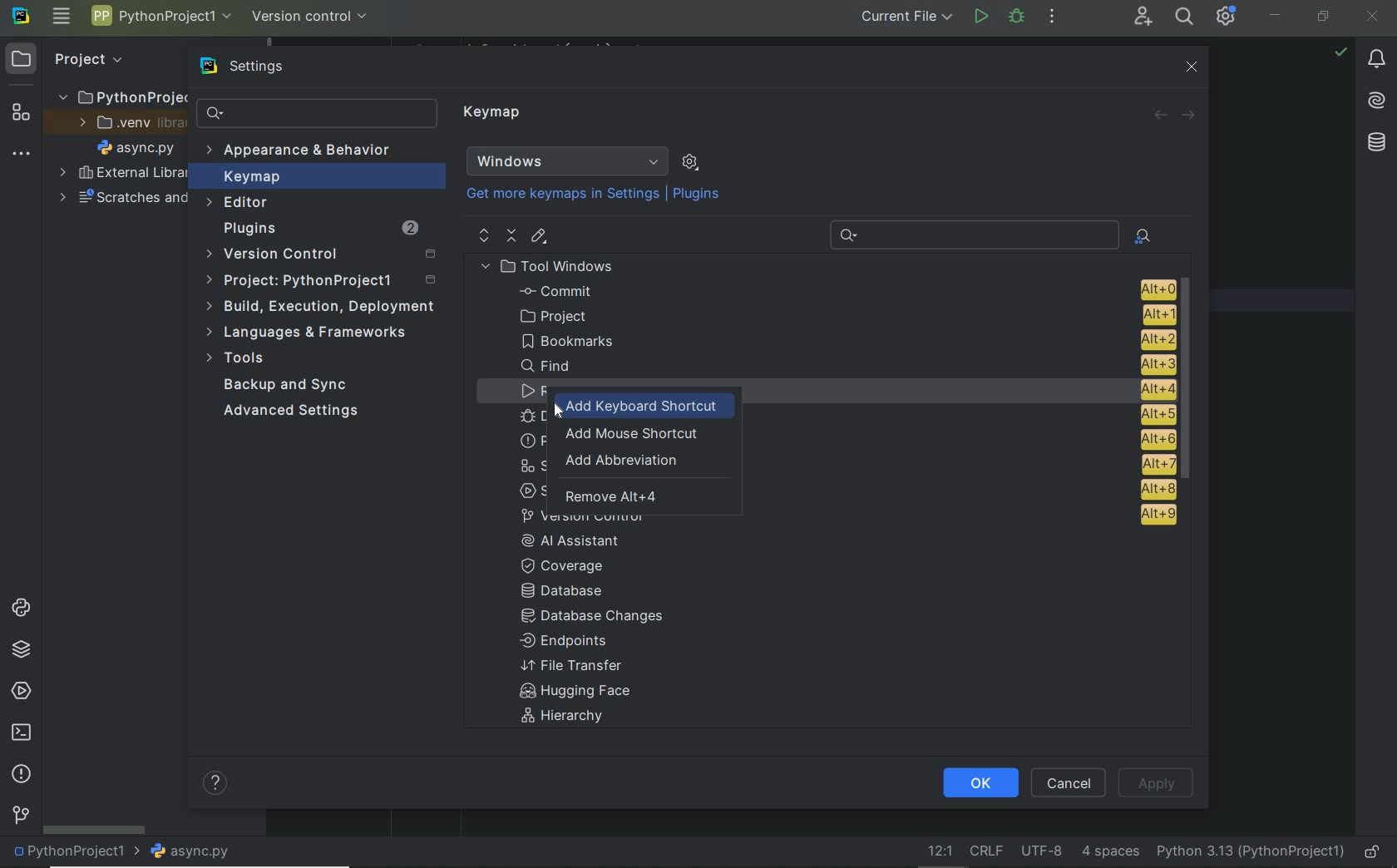 The image size is (1397, 868). Describe the element at coordinates (1190, 67) in the screenshot. I see `close` at that location.